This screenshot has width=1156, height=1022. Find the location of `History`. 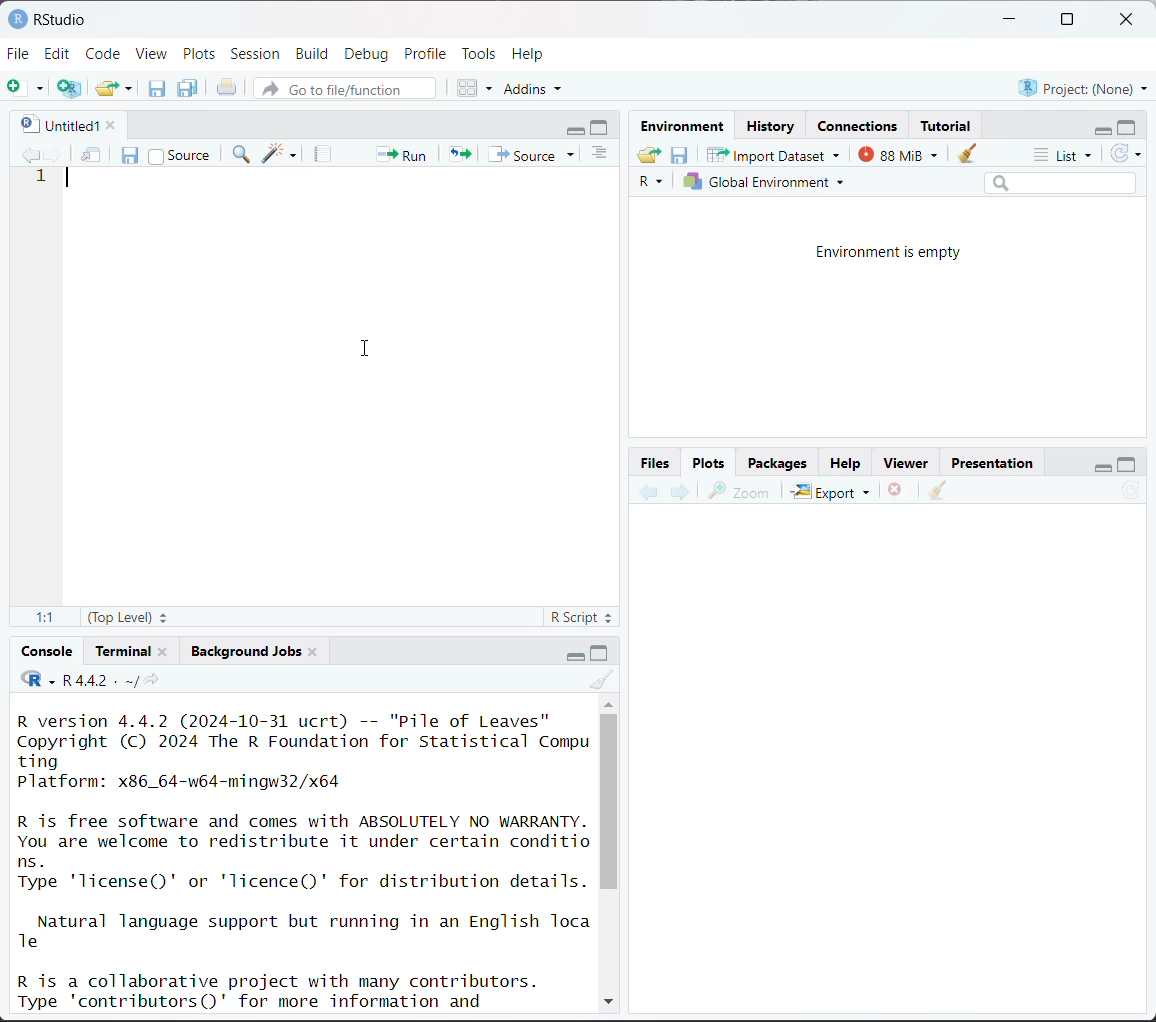

History is located at coordinates (772, 126).